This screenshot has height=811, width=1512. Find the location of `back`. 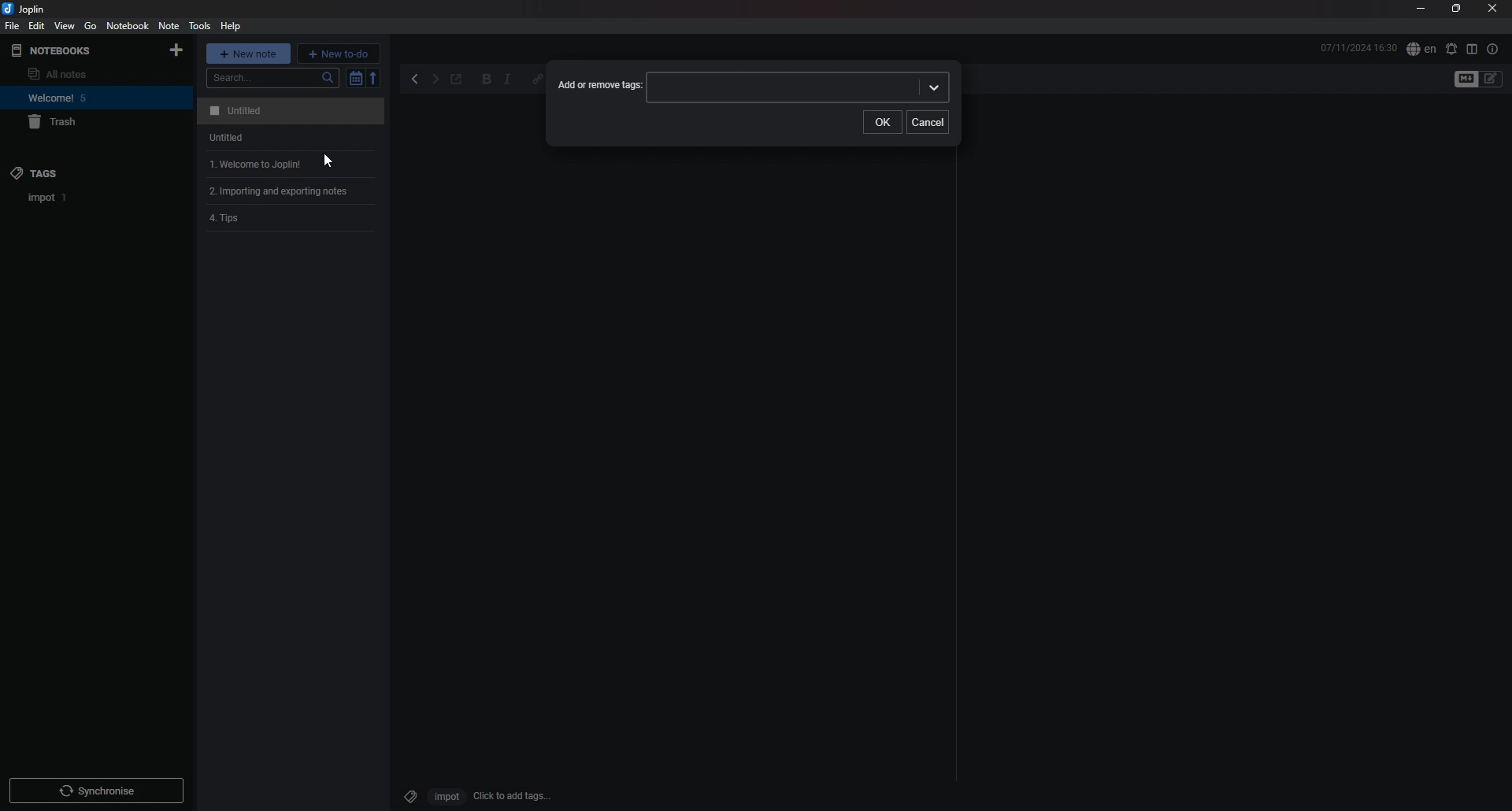

back is located at coordinates (417, 80).